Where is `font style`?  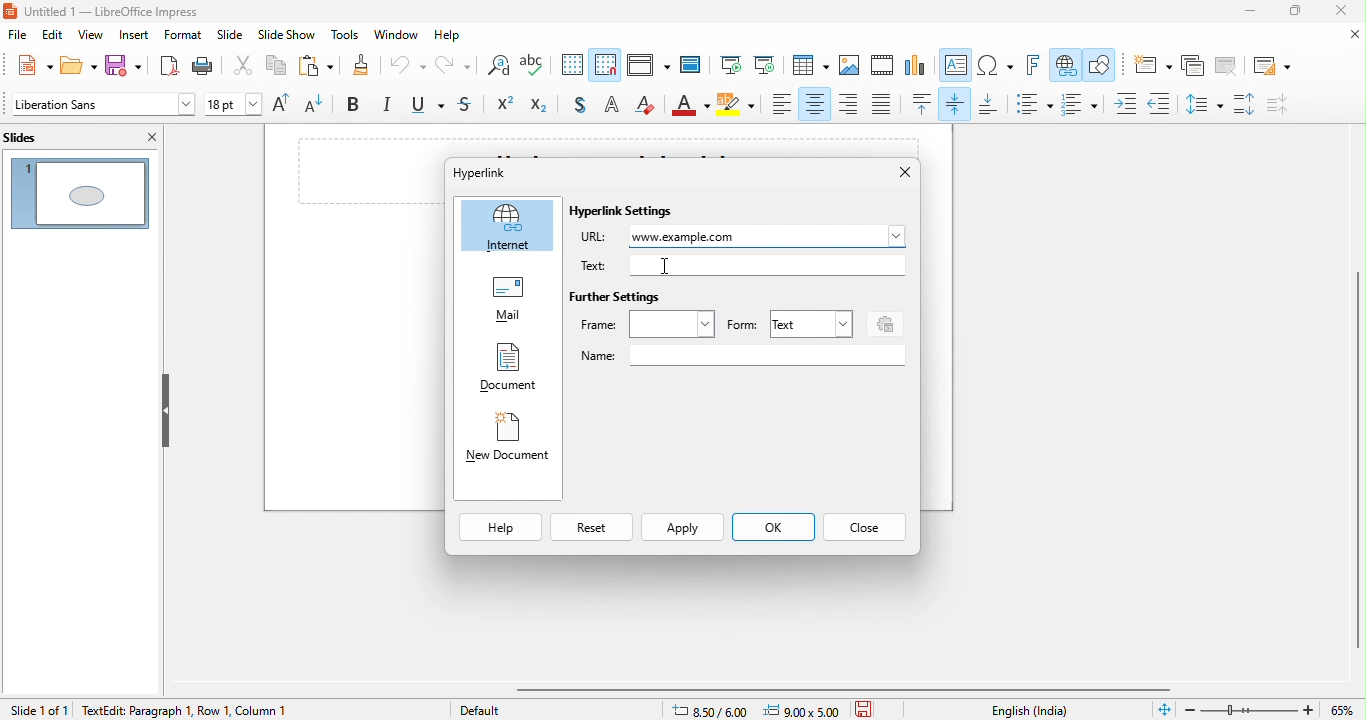
font style is located at coordinates (101, 106).